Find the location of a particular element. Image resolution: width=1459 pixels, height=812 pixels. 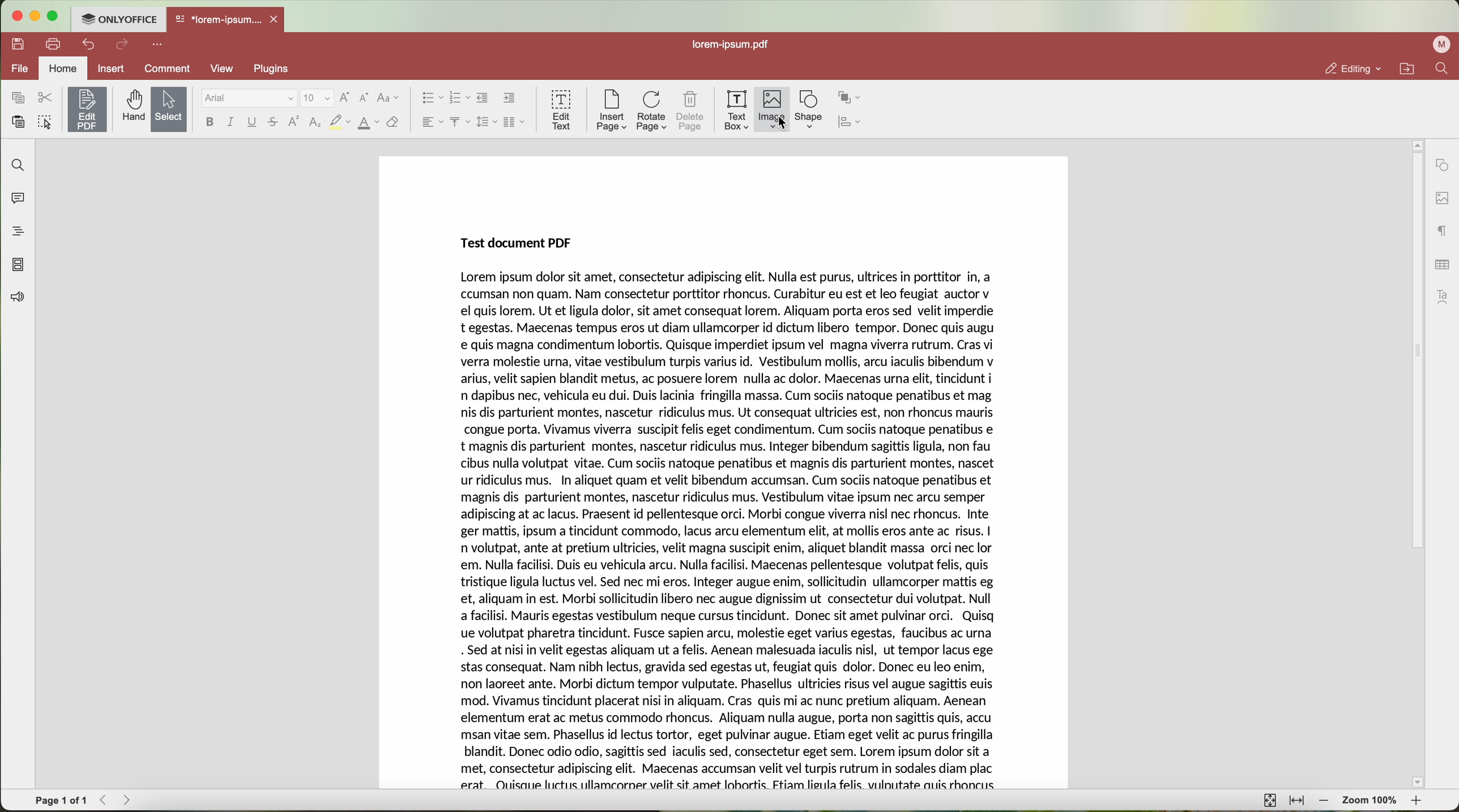

increment font size is located at coordinates (344, 97).